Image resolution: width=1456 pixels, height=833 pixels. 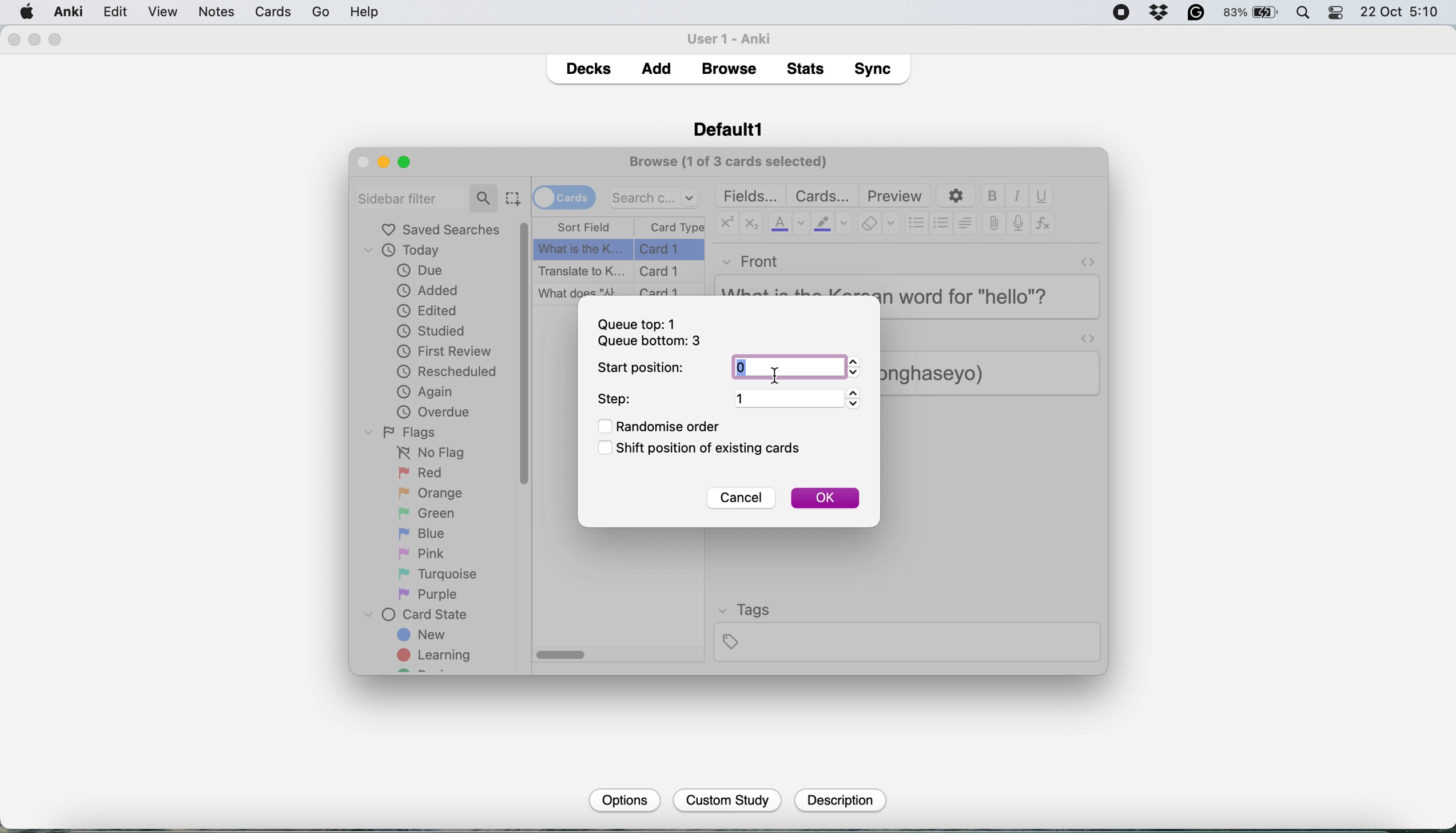 What do you see at coordinates (1043, 224) in the screenshot?
I see `function` at bounding box center [1043, 224].